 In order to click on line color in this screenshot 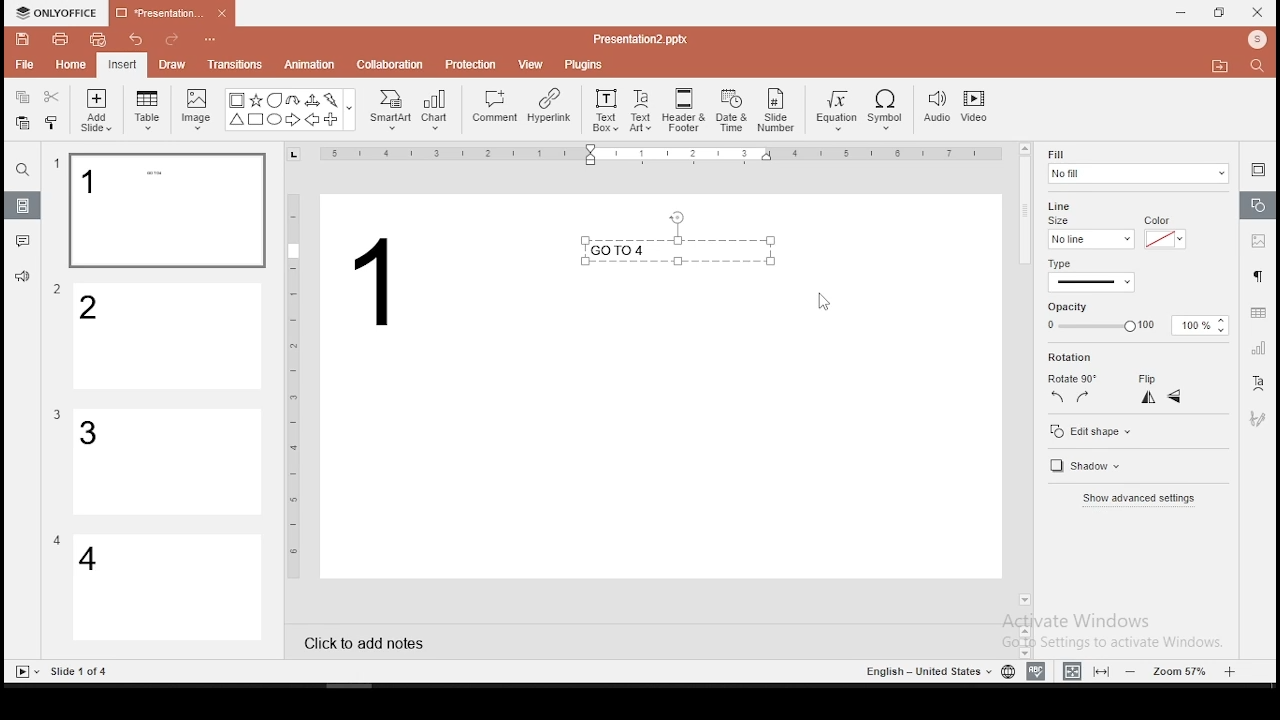, I will do `click(1163, 238)`.